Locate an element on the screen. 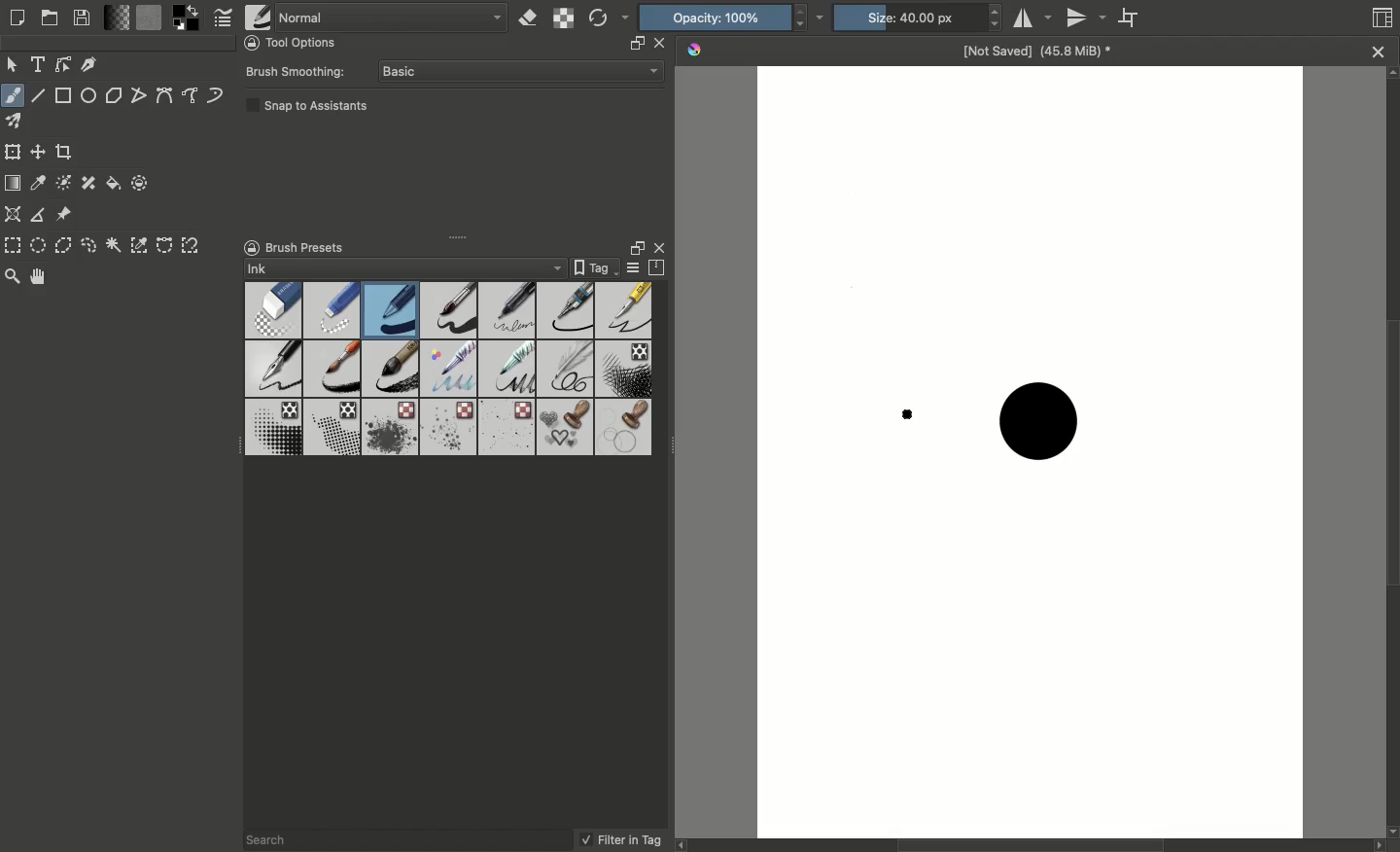 The image size is (1400, 852). Bézier curve is located at coordinates (165, 97).